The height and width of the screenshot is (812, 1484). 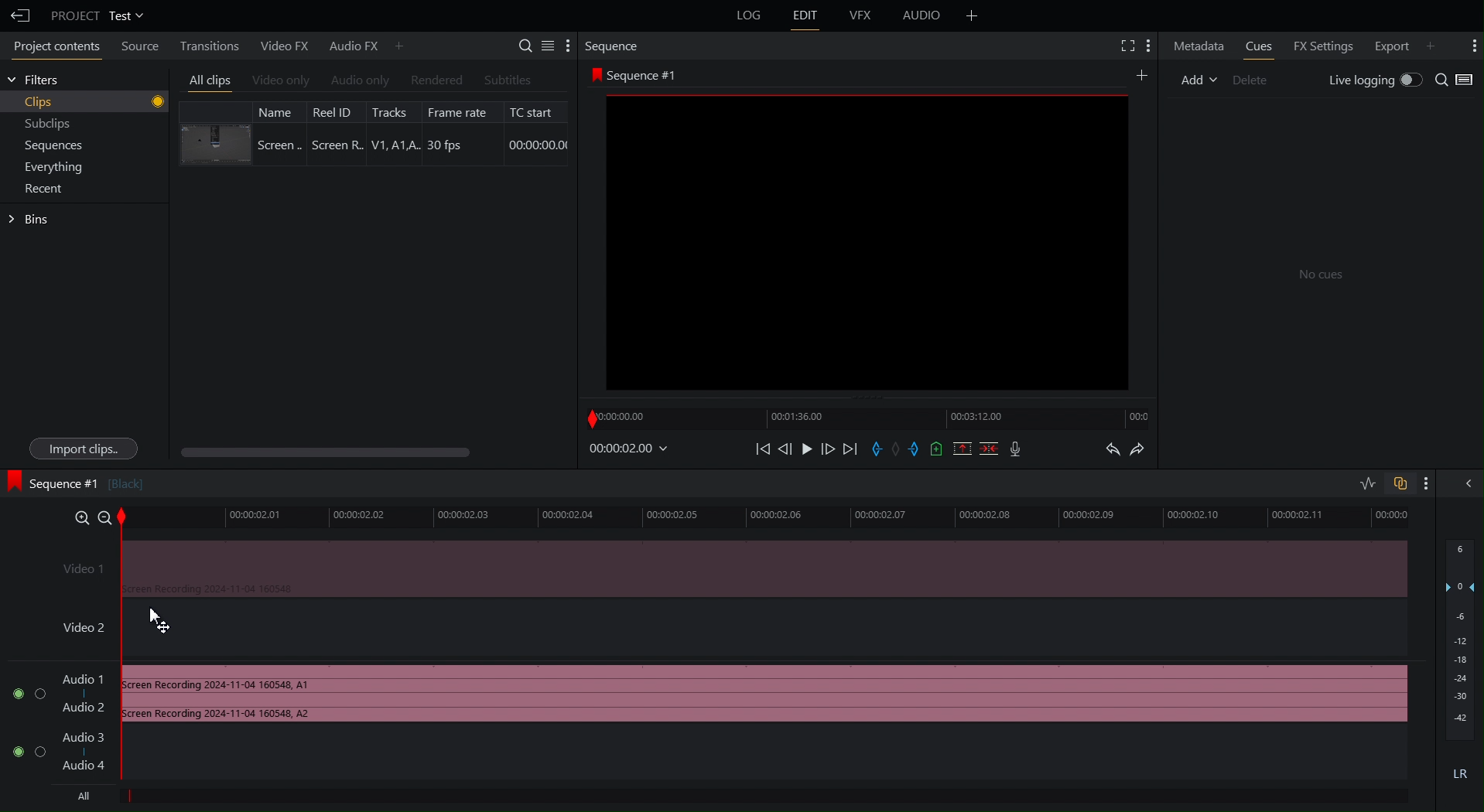 What do you see at coordinates (1125, 47) in the screenshot?
I see `Fullscreen` at bounding box center [1125, 47].